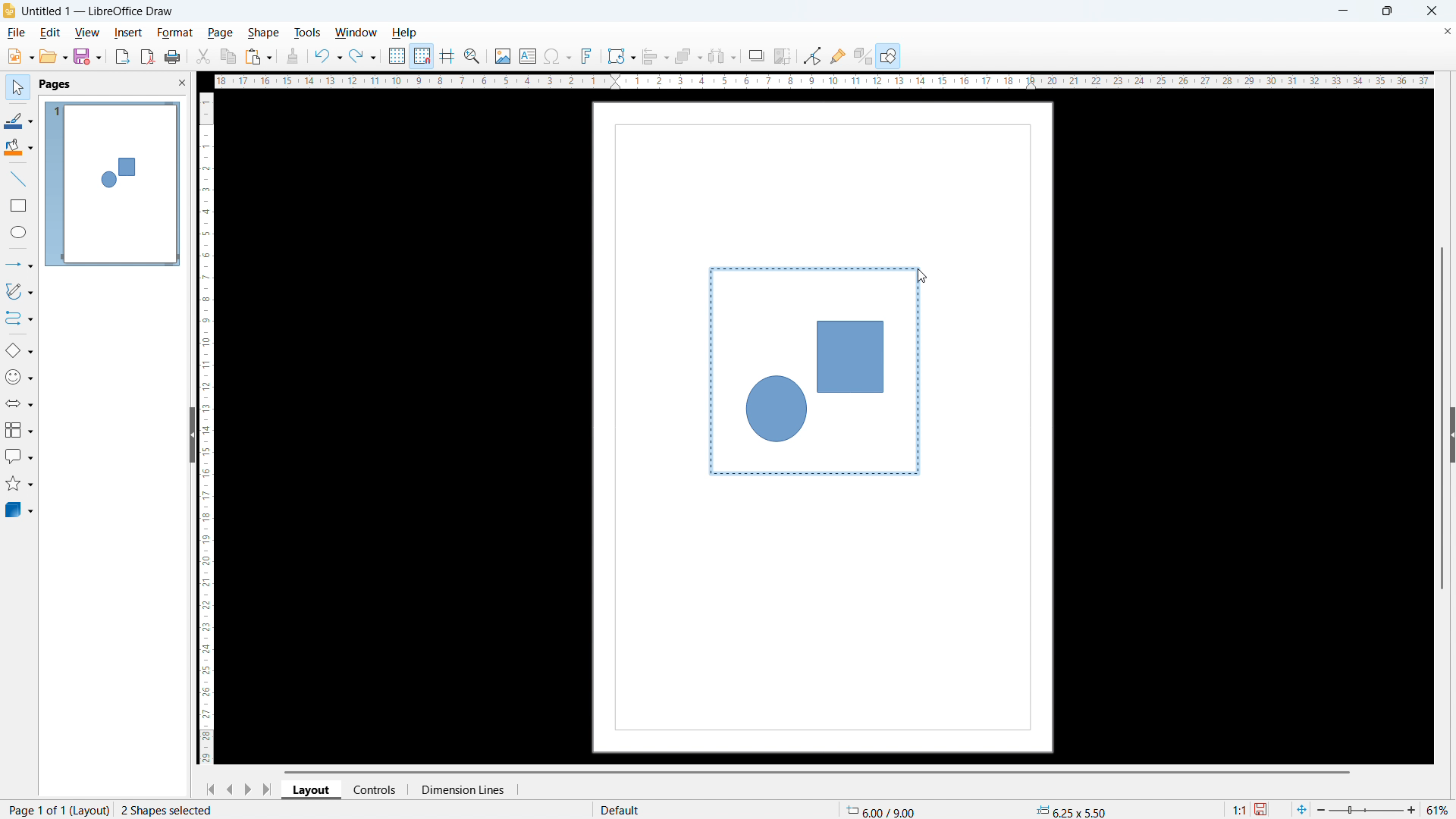 This screenshot has height=819, width=1456. Describe the element at coordinates (124, 58) in the screenshot. I see `export` at that location.